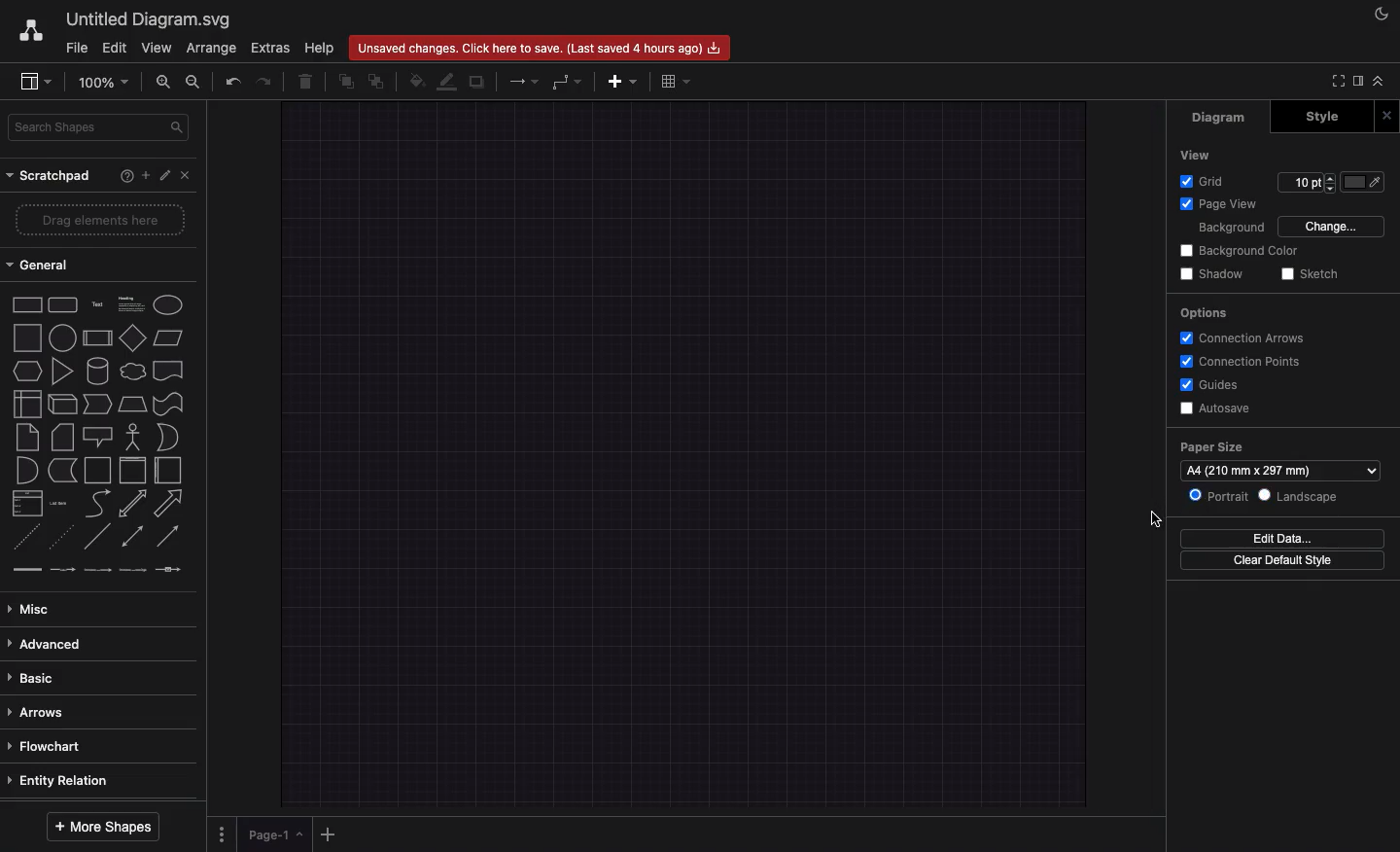 The width and height of the screenshot is (1400, 852). I want to click on Change, so click(1331, 229).